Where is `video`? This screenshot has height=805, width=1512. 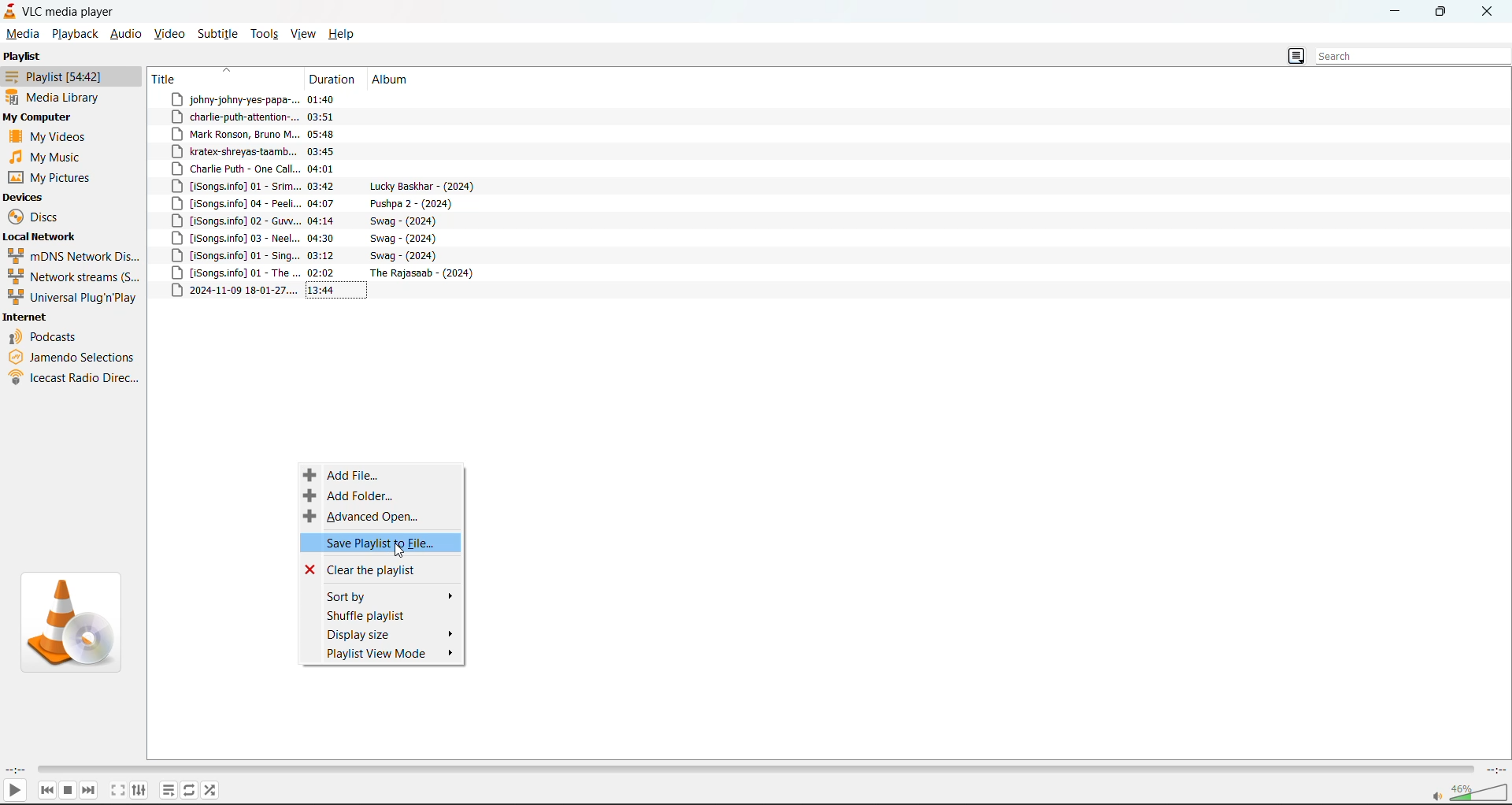 video is located at coordinates (172, 33).